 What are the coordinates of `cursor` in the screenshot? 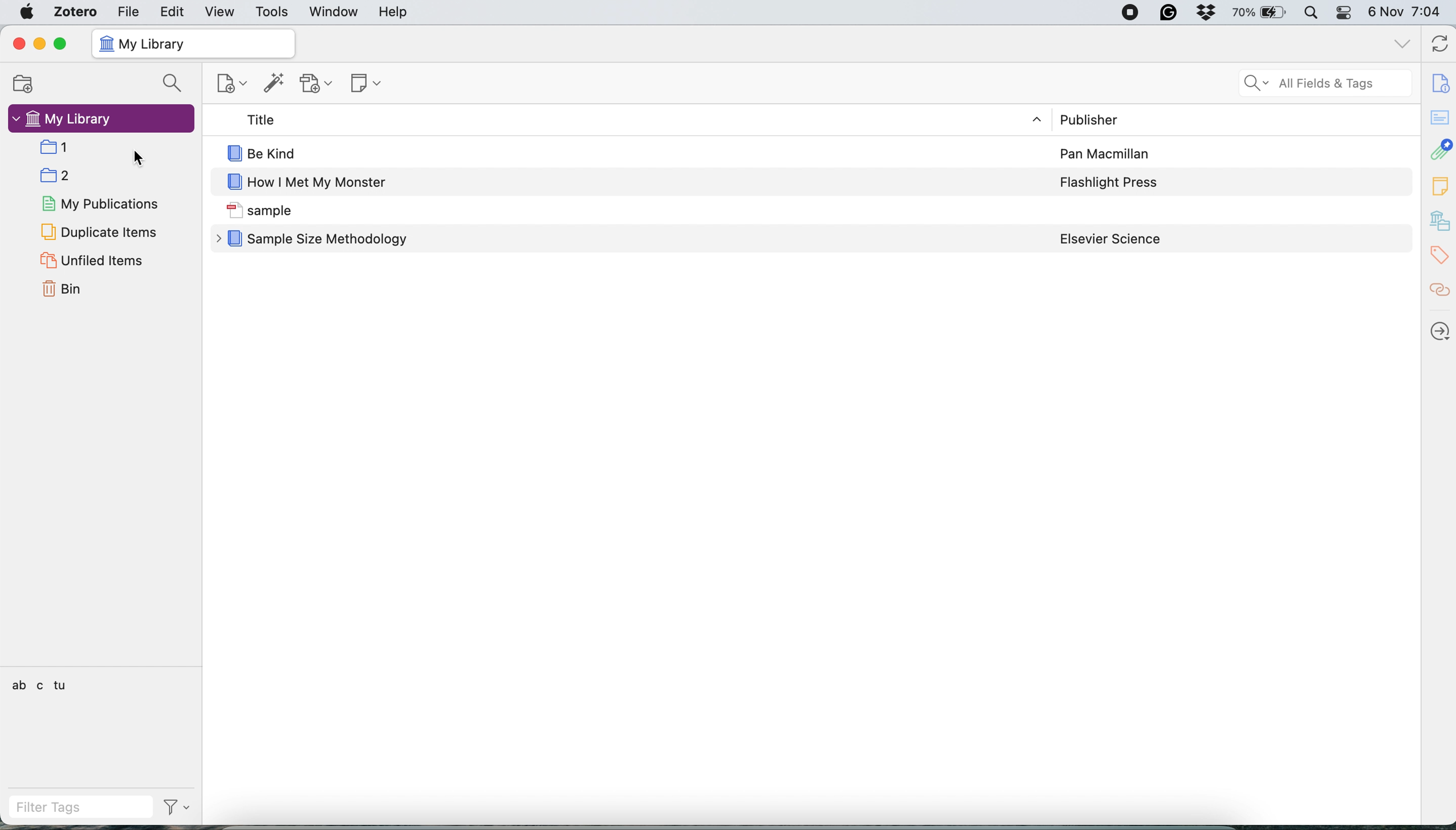 It's located at (138, 158).